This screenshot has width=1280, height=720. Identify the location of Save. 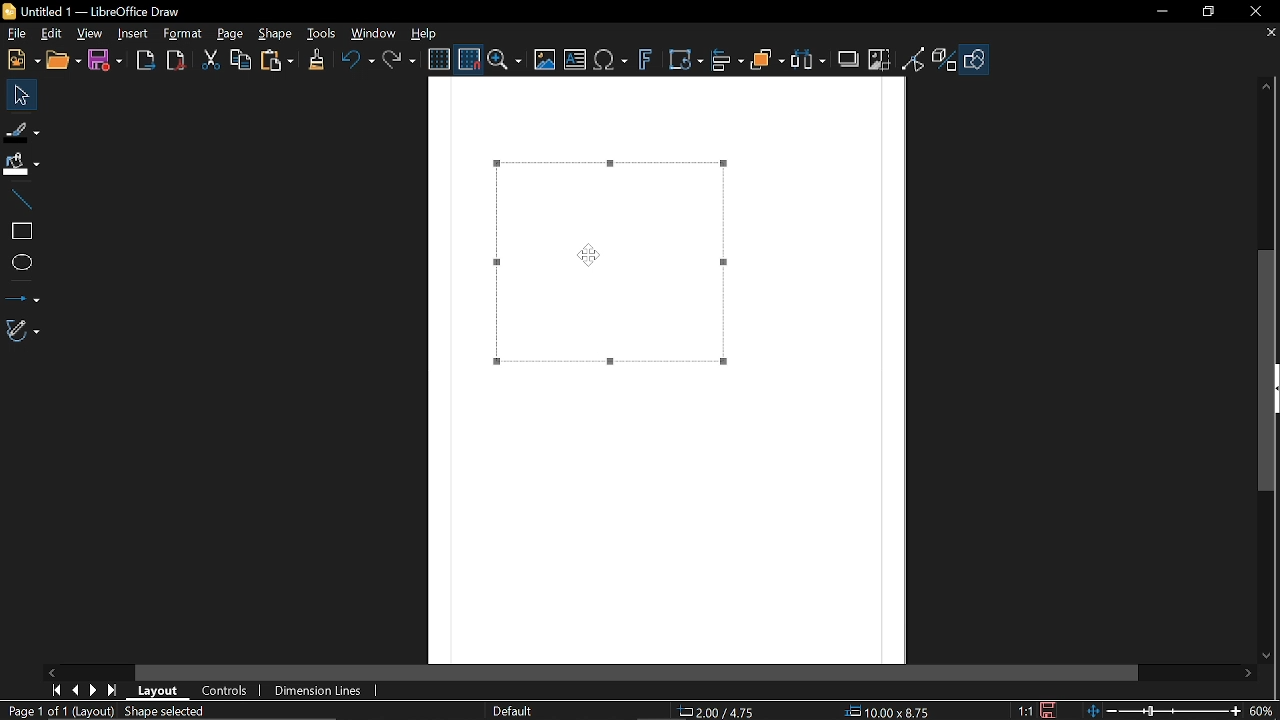
(103, 61).